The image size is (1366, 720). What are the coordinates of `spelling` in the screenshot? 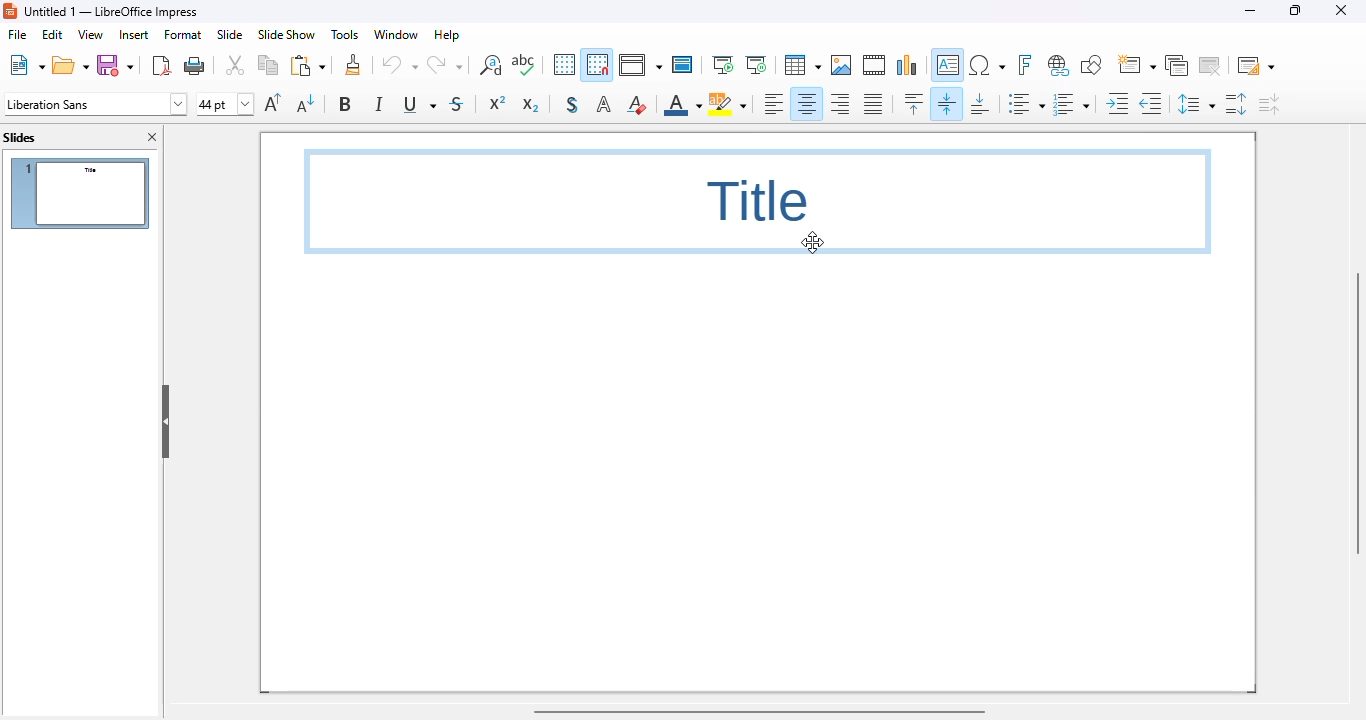 It's located at (524, 64).